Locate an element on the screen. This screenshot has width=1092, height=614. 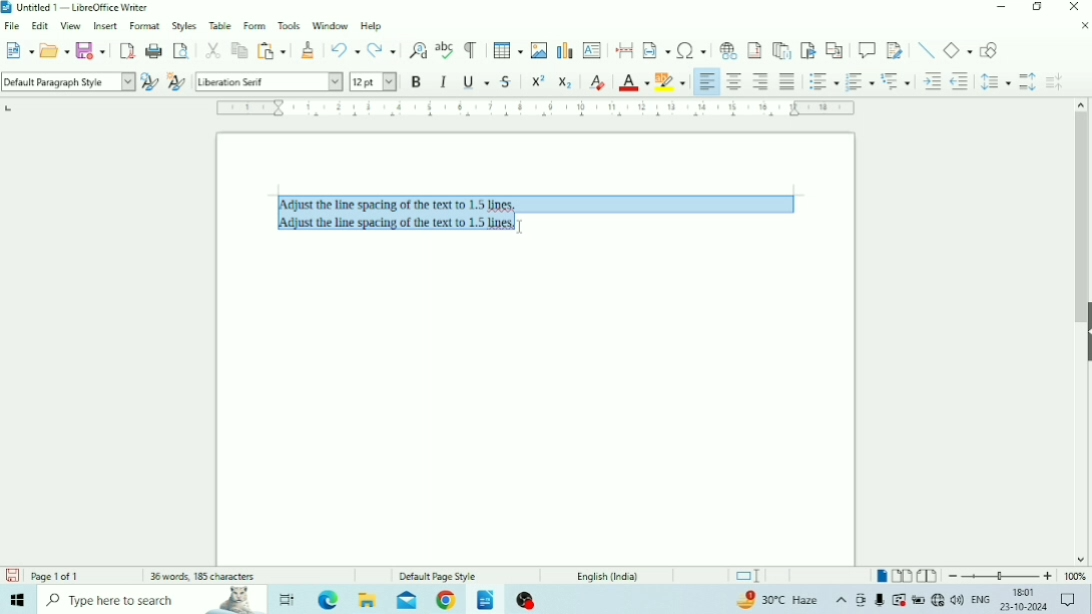
Clear Direct Formatting is located at coordinates (597, 82).